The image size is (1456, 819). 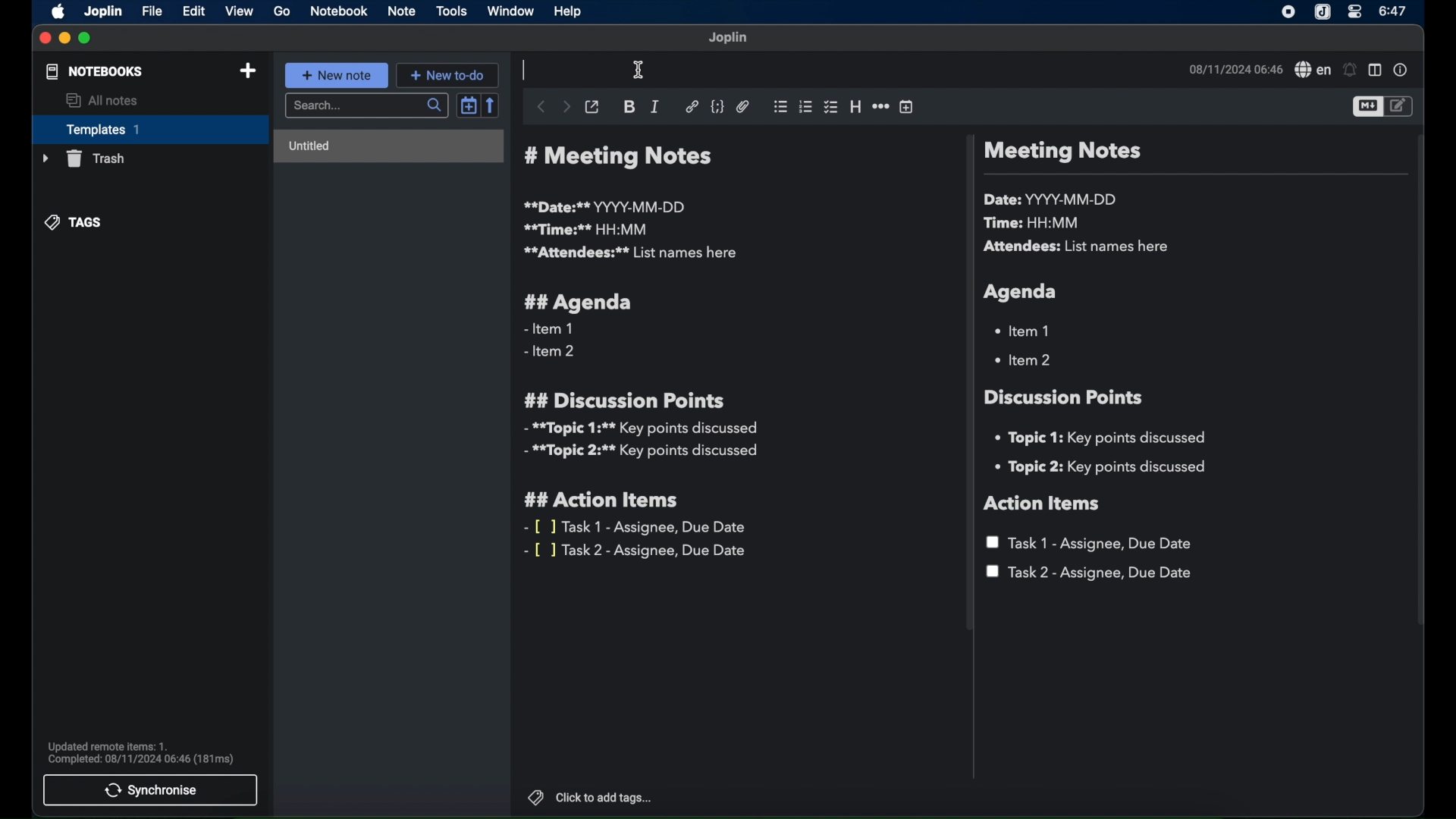 I want to click on heading, so click(x=855, y=108).